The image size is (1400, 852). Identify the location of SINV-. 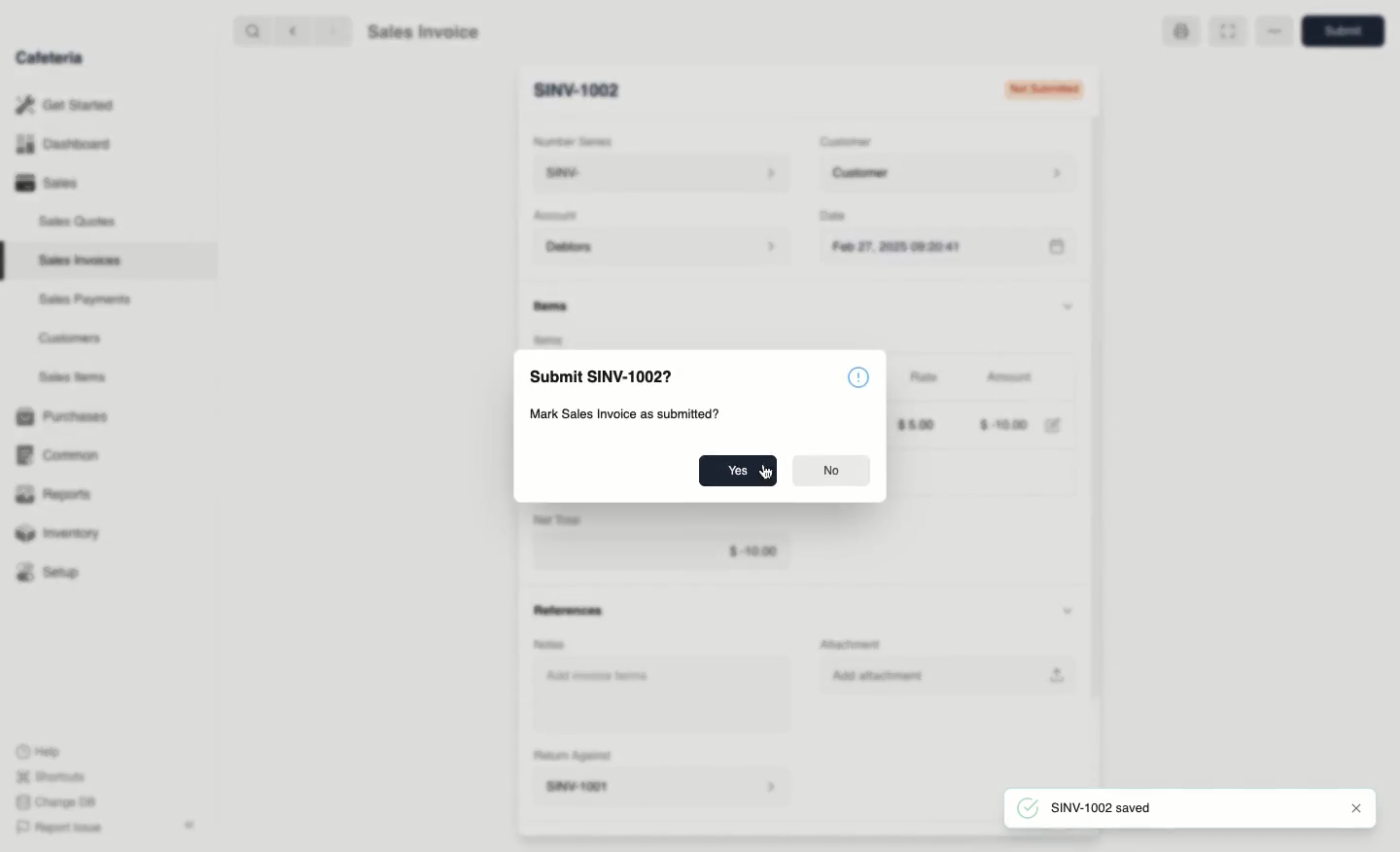
(660, 173).